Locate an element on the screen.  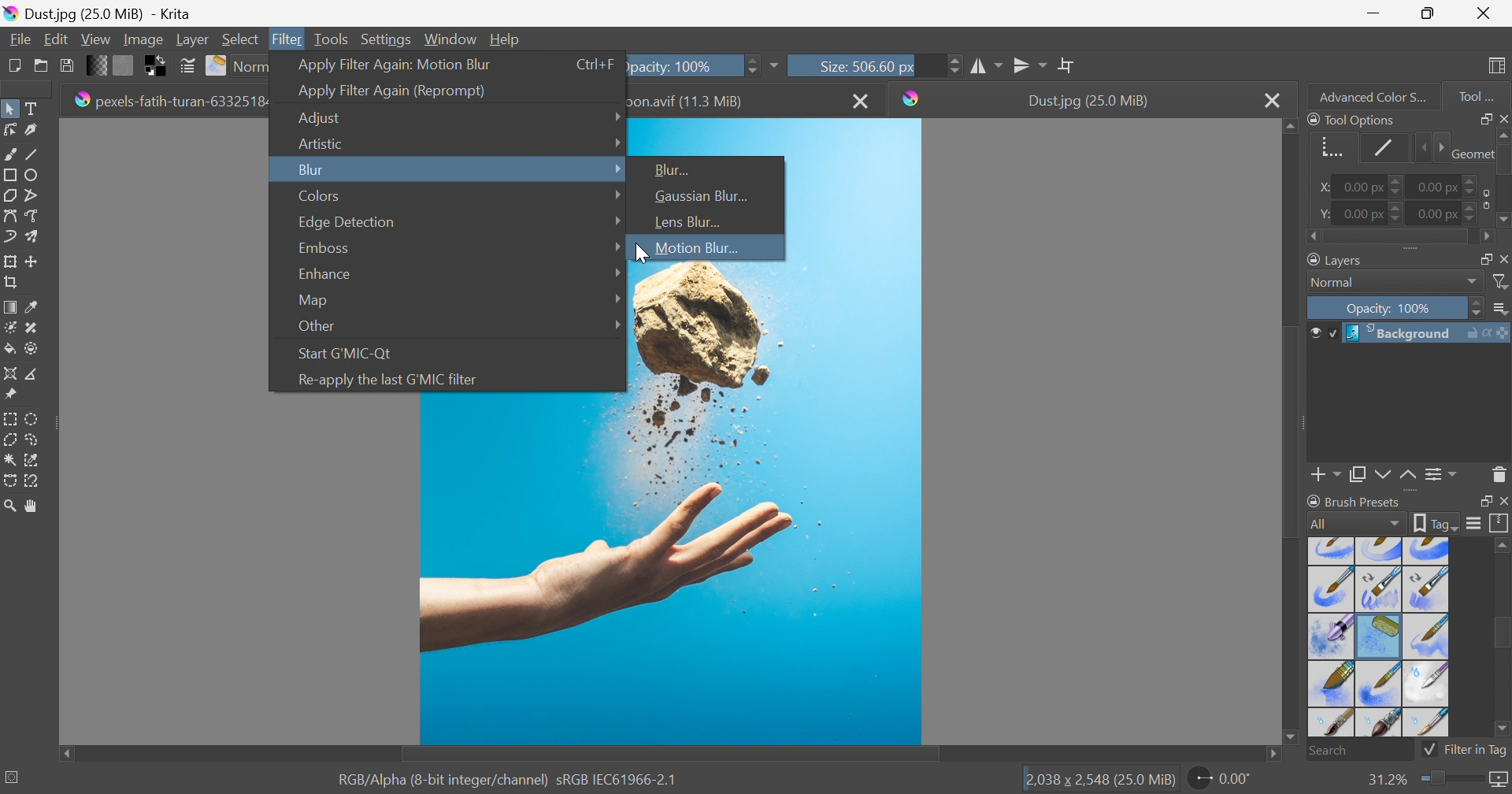
Image is located at coordinates (671, 570).